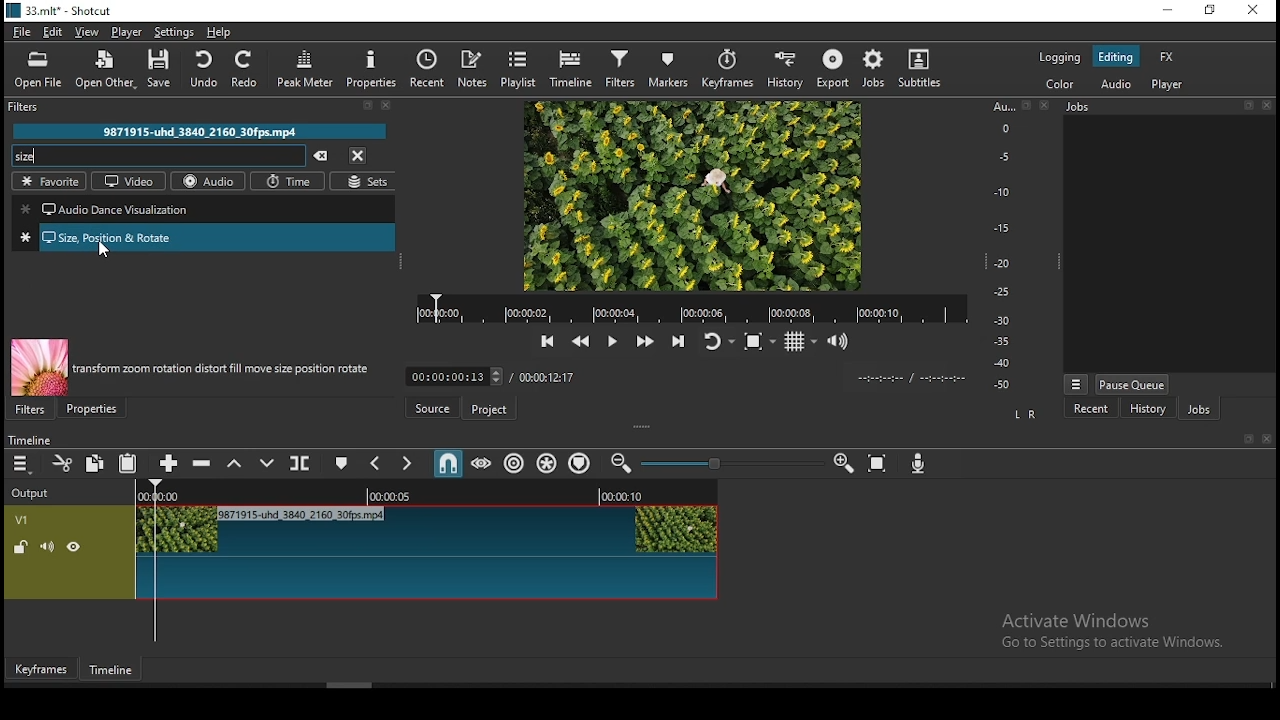 The height and width of the screenshot is (720, 1280). Describe the element at coordinates (581, 339) in the screenshot. I see `play quickly backwards` at that location.